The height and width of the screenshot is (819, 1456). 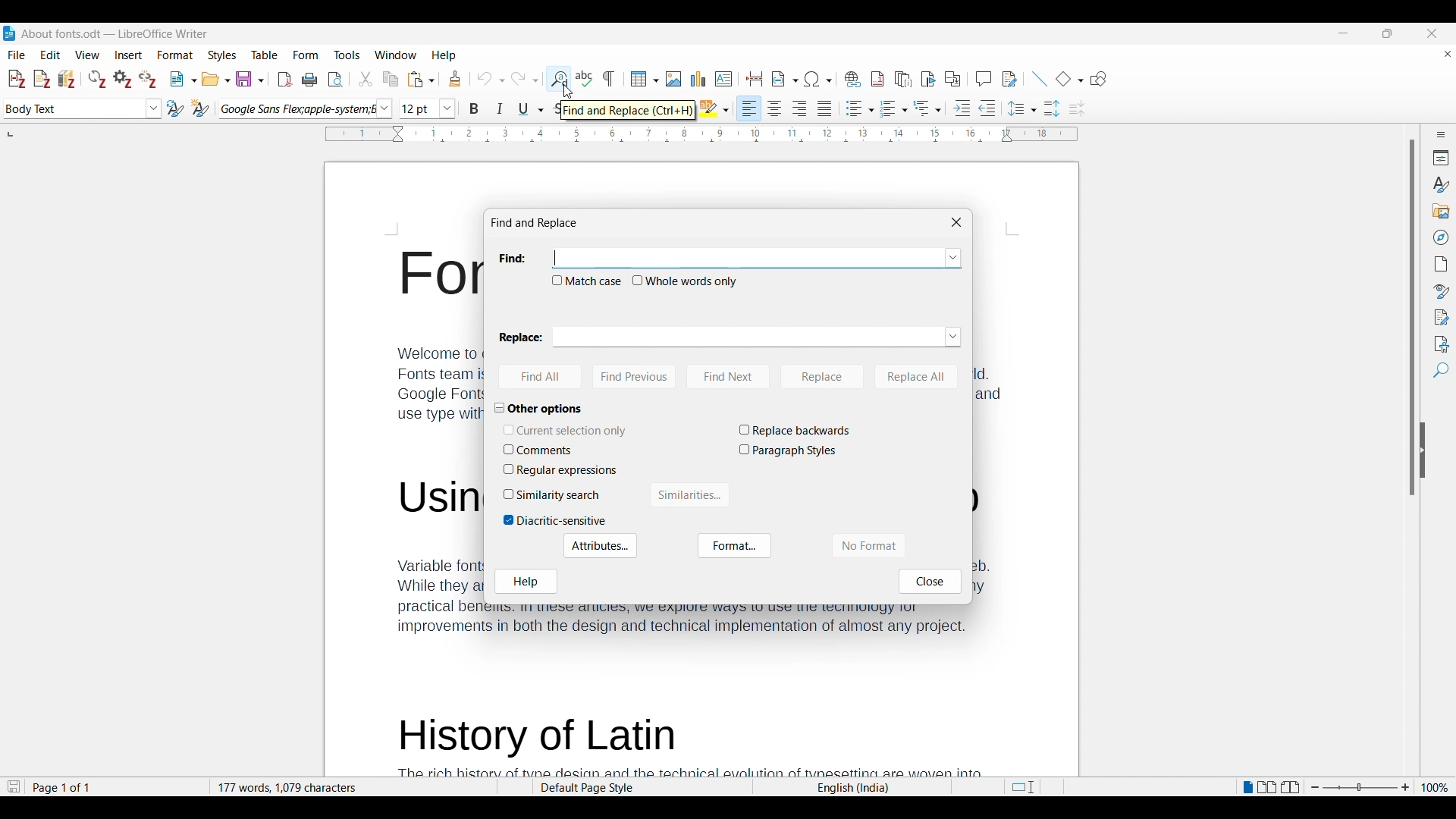 I want to click on Zoom in, so click(x=1406, y=788).